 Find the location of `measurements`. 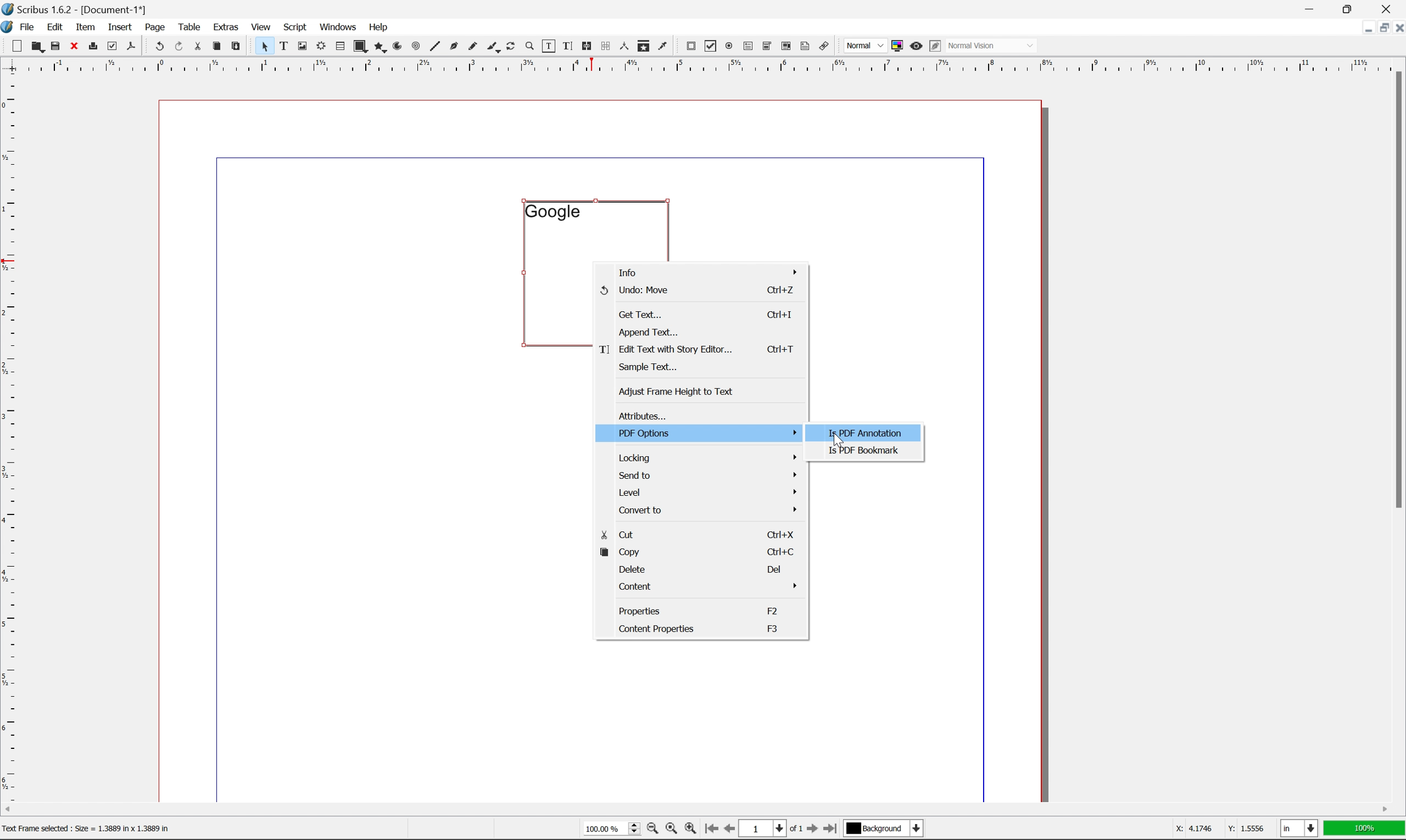

measurements is located at coordinates (623, 46).